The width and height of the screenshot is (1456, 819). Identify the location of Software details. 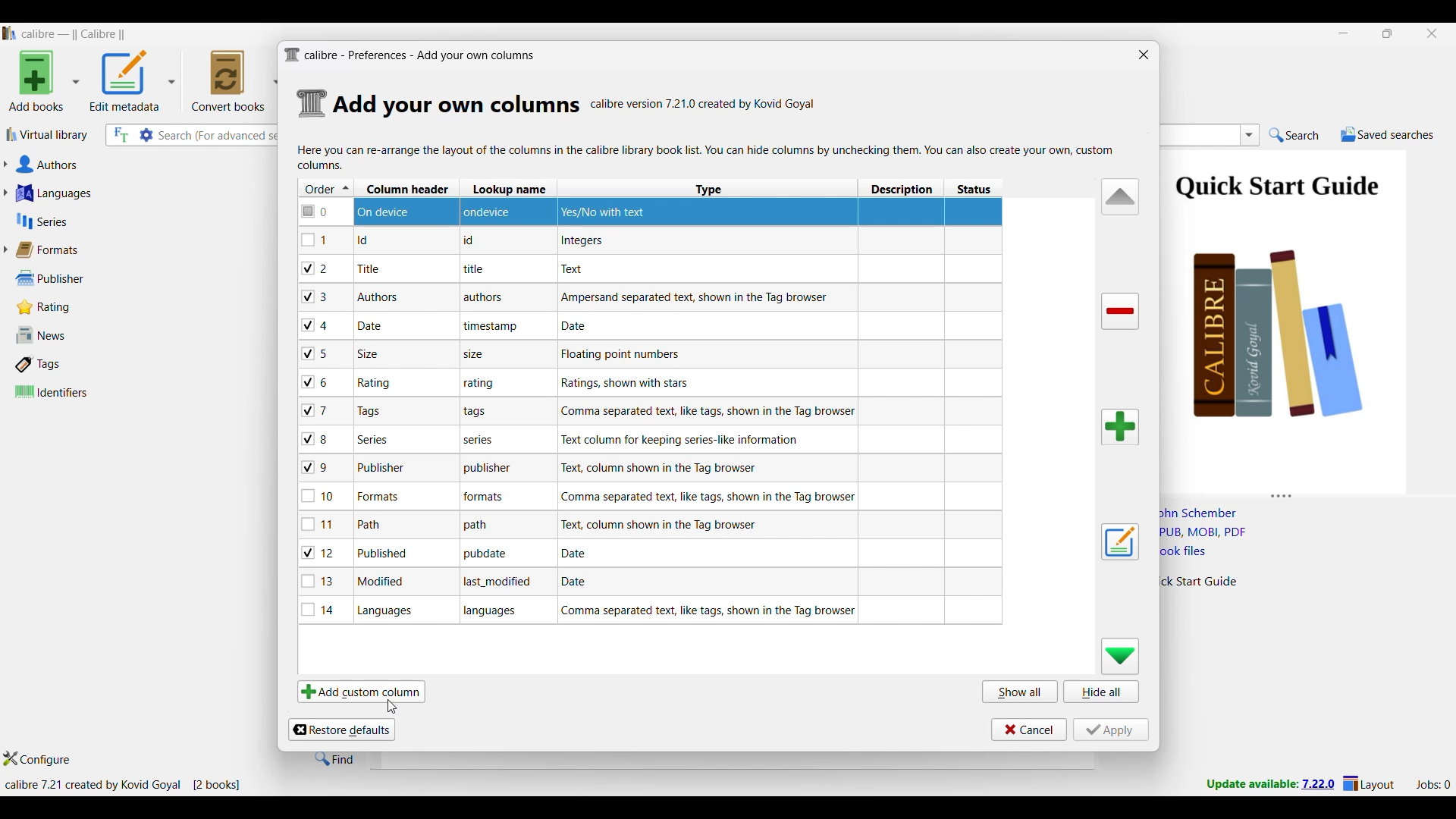
(704, 104).